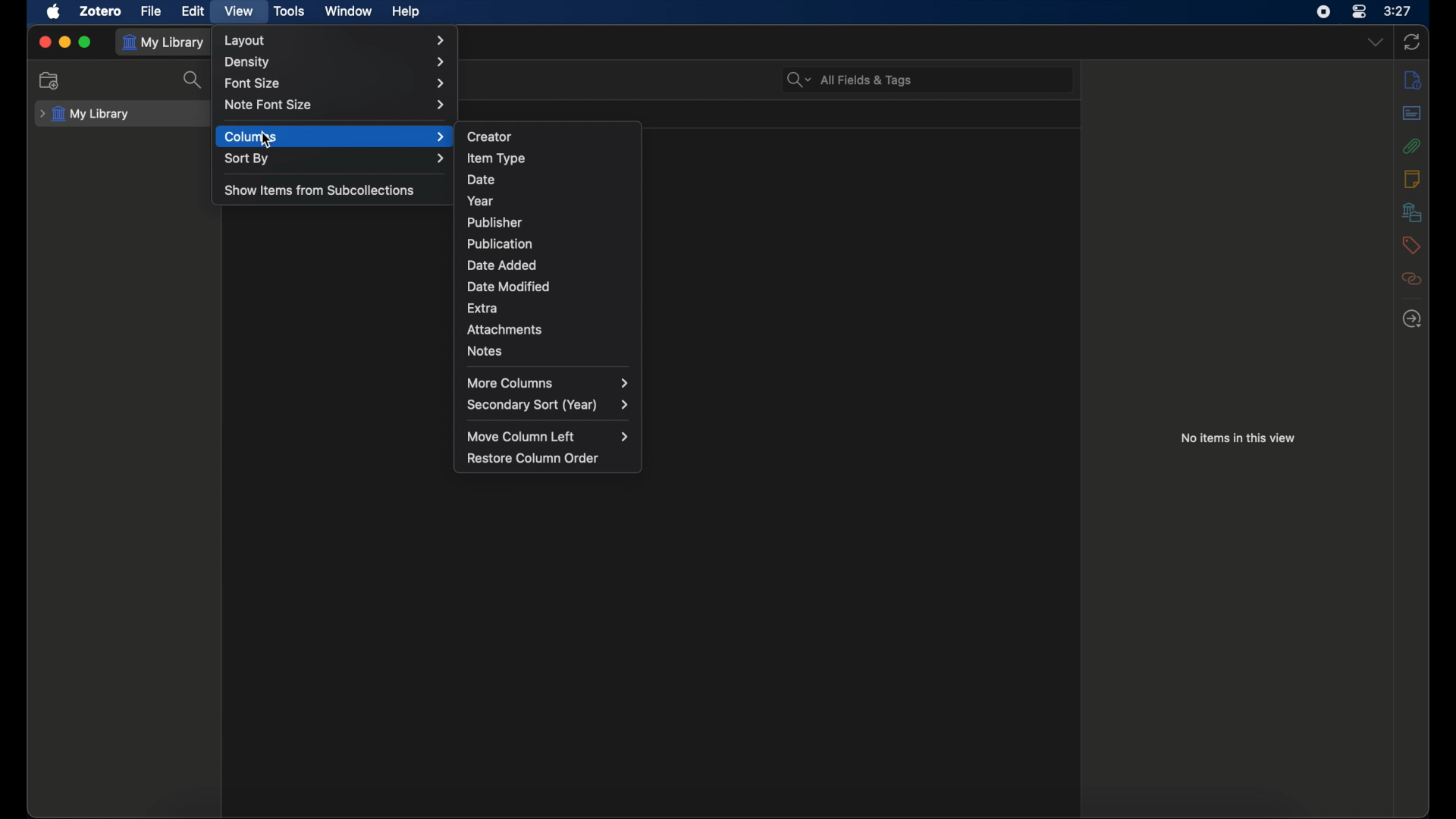  Describe the element at coordinates (1376, 42) in the screenshot. I see `dropdown` at that location.